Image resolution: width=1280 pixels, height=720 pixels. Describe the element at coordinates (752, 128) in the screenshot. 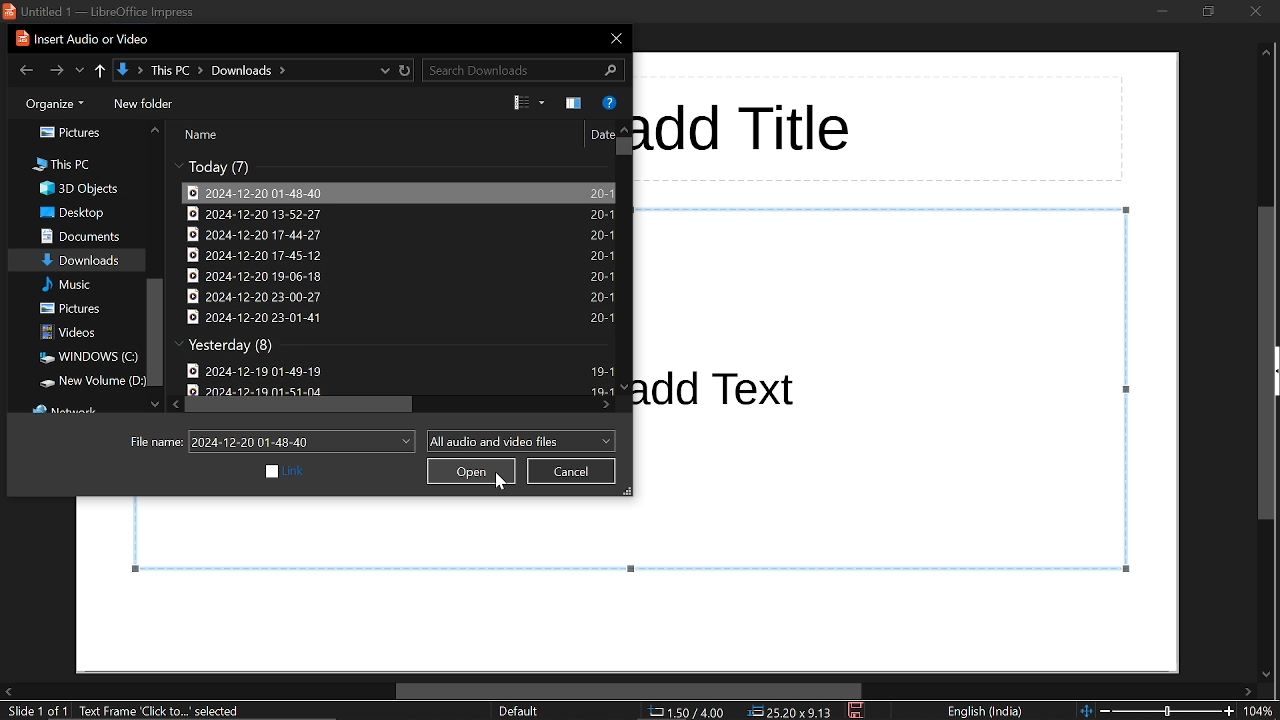

I see `add title` at that location.